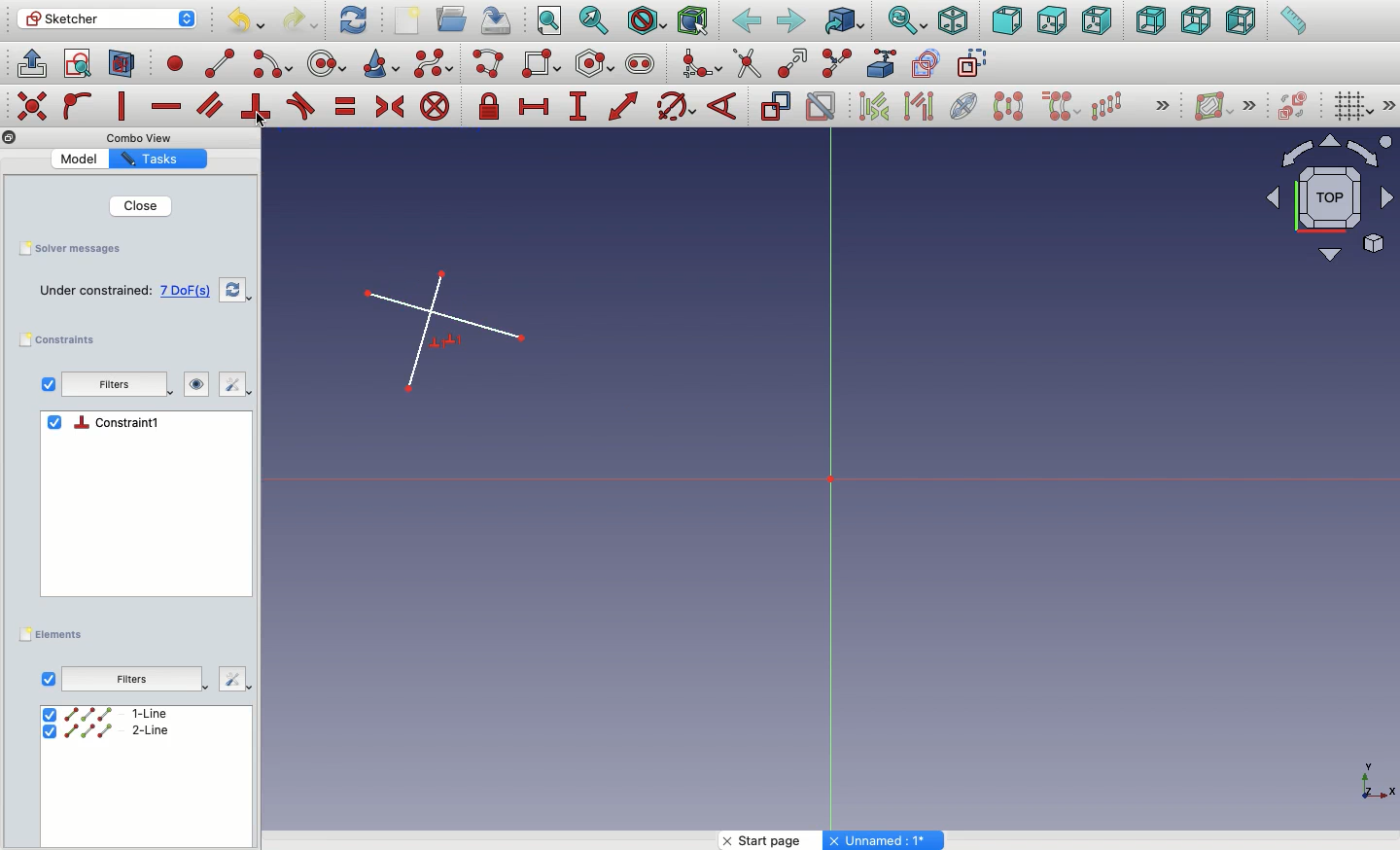 The image size is (1400, 850). Describe the element at coordinates (454, 18) in the screenshot. I see `Open` at that location.